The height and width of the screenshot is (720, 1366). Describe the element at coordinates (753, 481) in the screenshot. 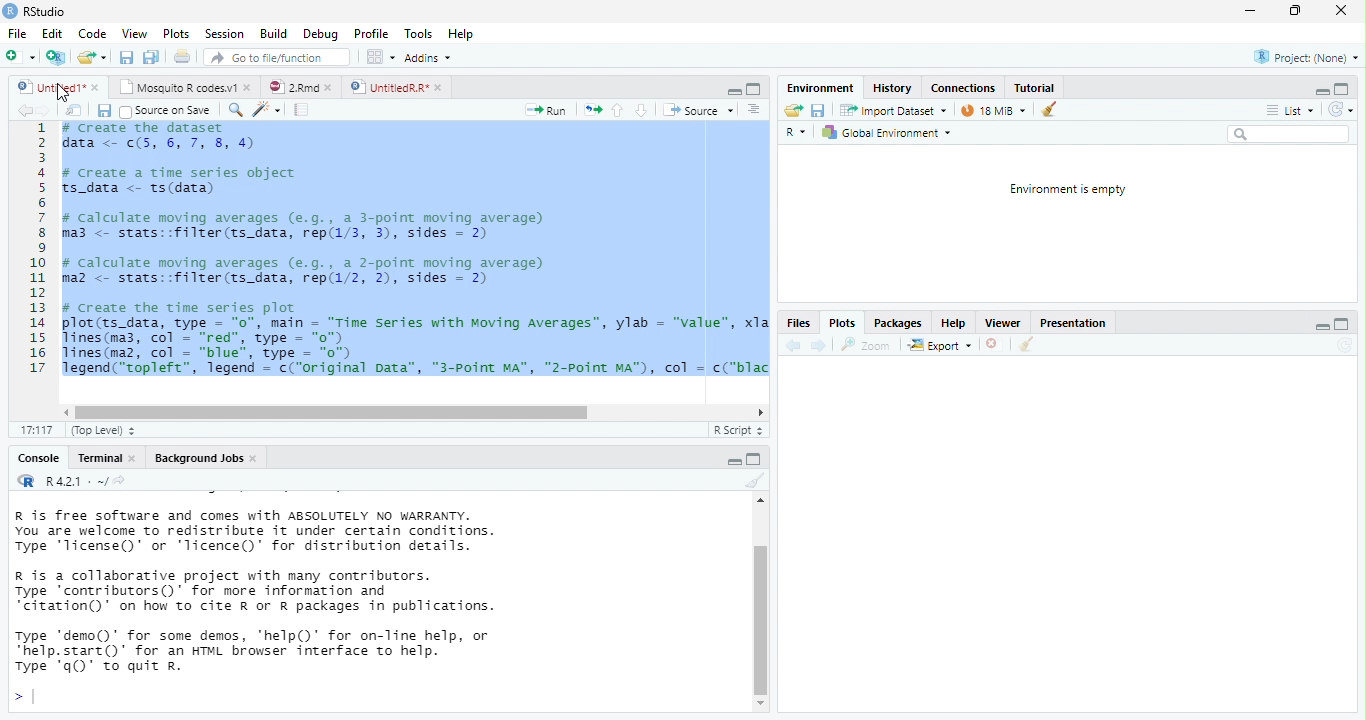

I see `clear` at that location.